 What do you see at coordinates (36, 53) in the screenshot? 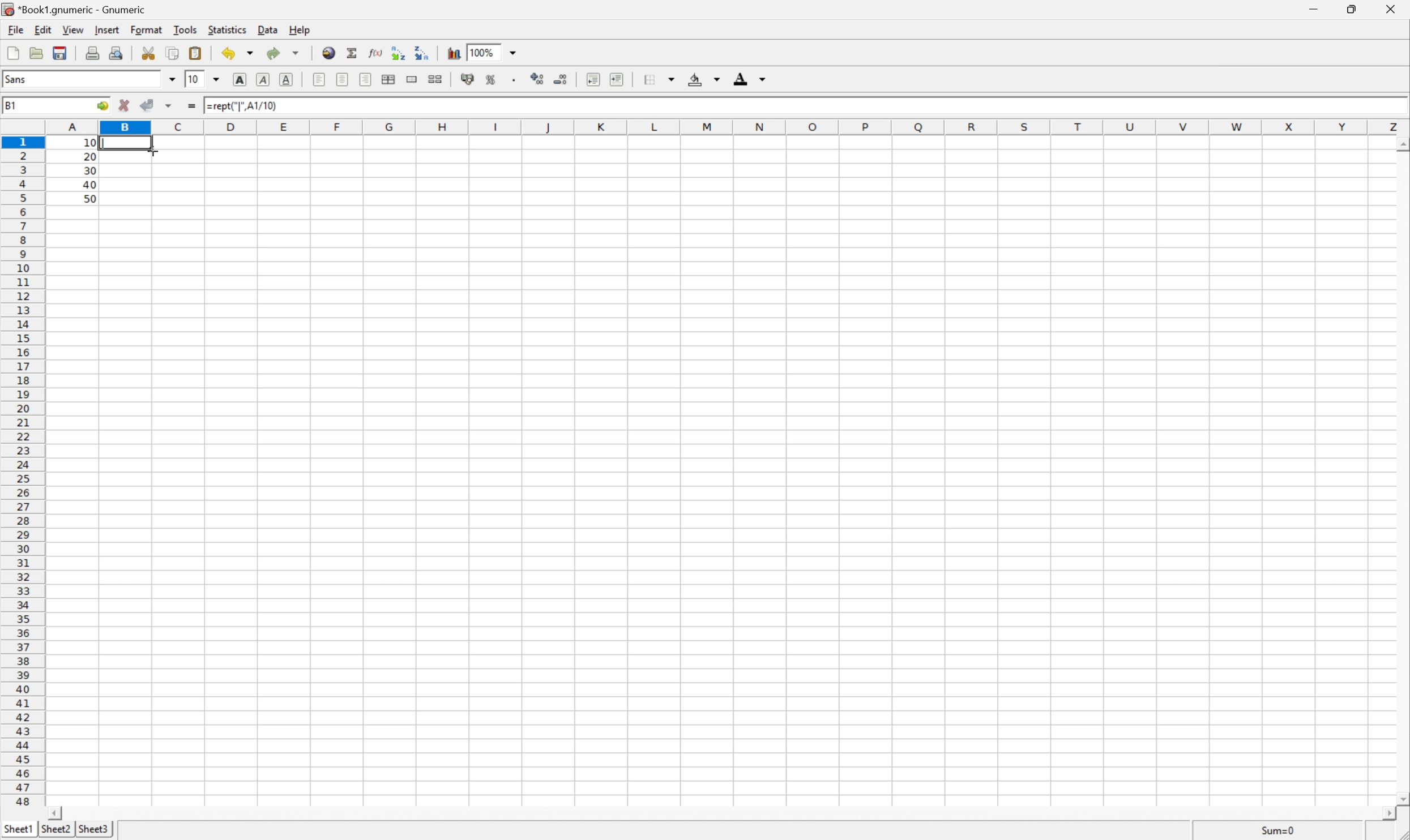
I see `Open a file` at bounding box center [36, 53].